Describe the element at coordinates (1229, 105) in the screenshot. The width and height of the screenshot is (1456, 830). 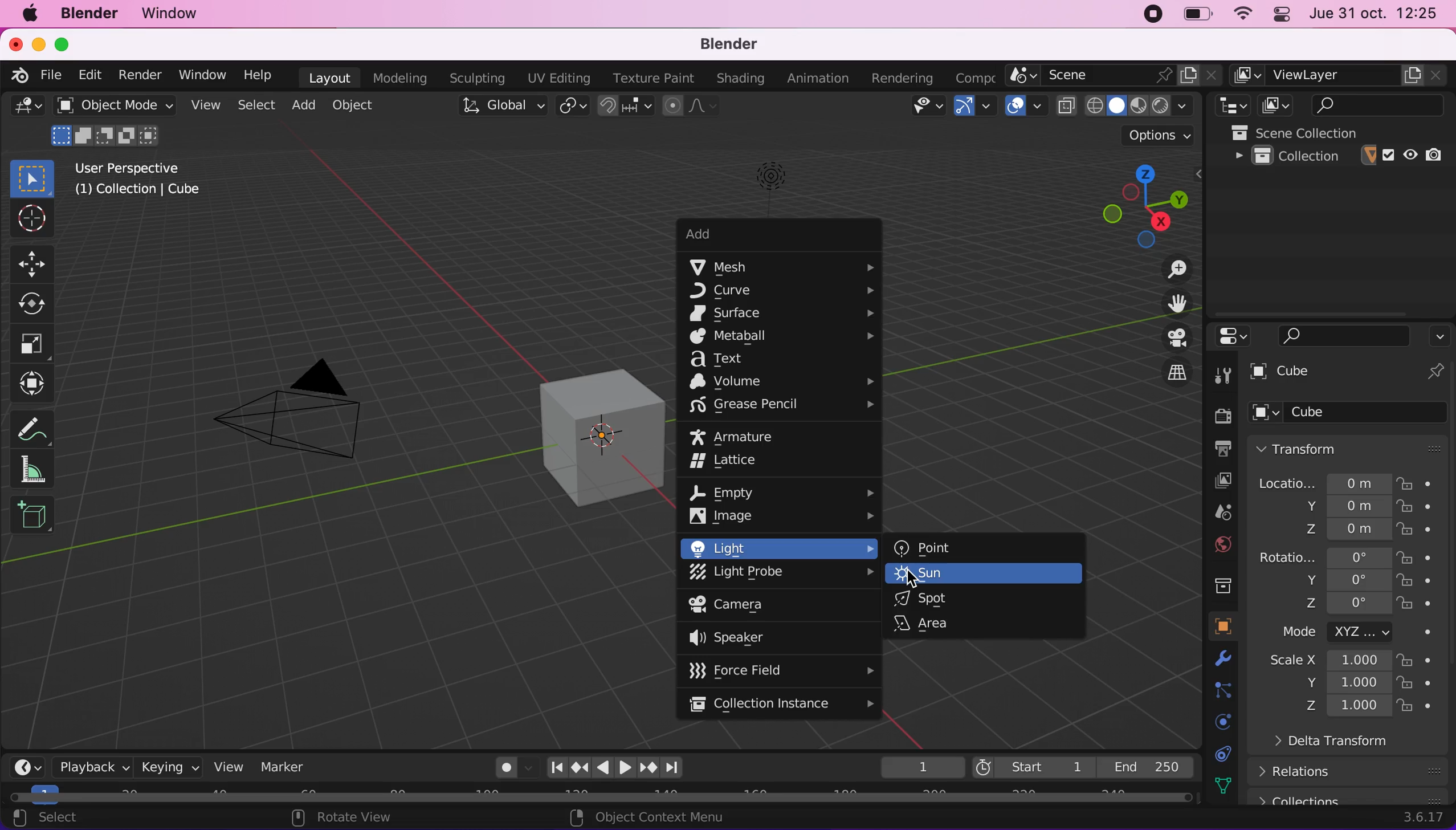
I see `editor type` at that location.